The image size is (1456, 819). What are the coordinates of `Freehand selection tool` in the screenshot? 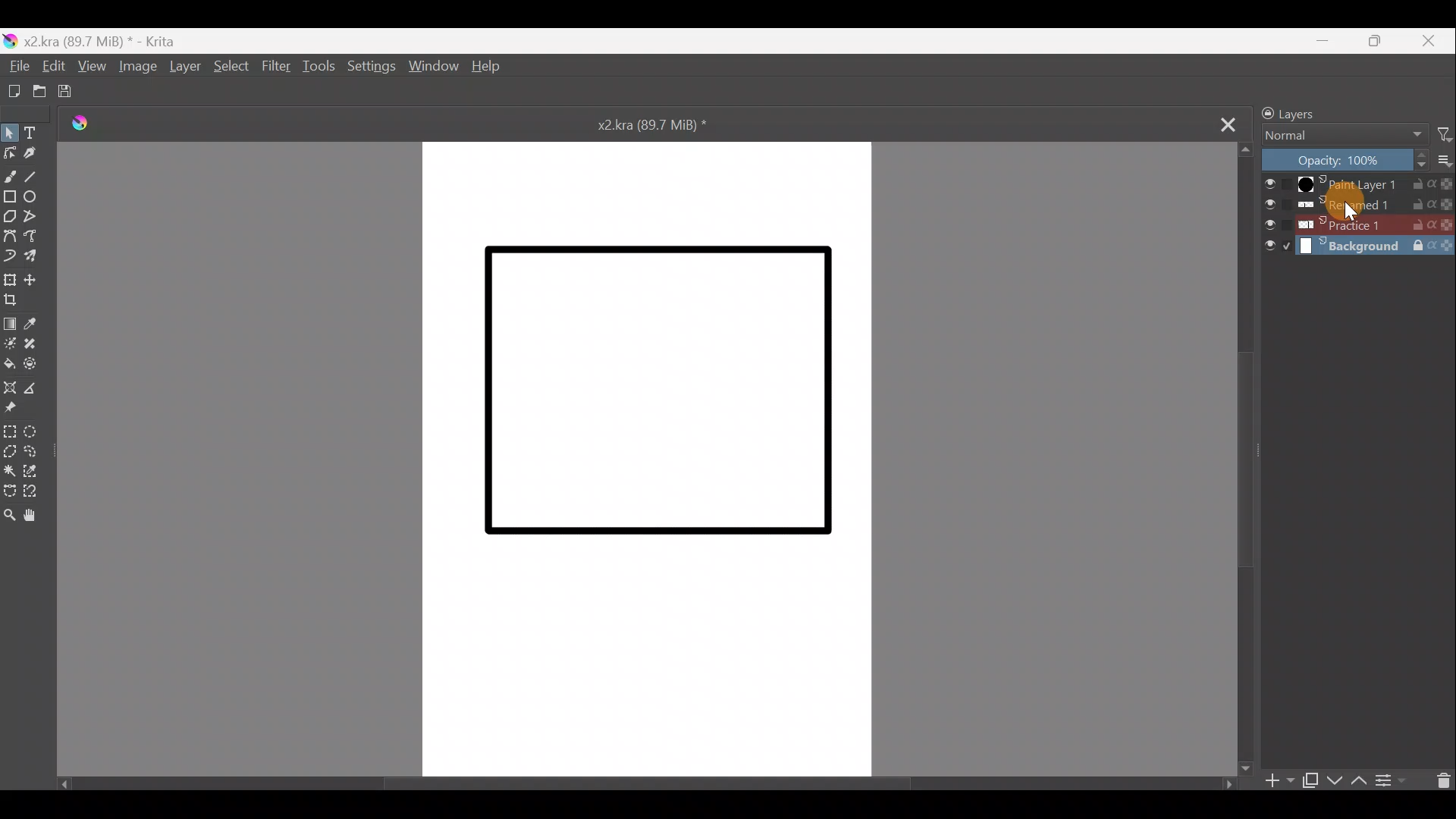 It's located at (36, 450).